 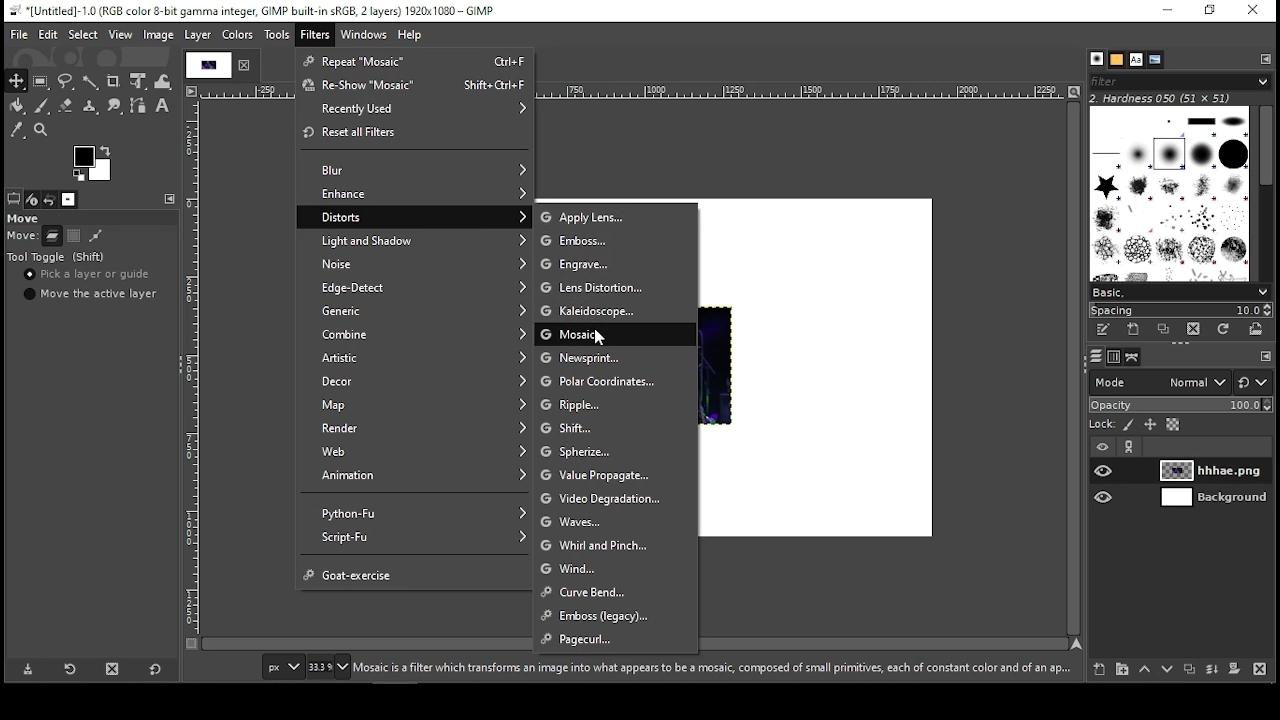 I want to click on web, so click(x=417, y=451).